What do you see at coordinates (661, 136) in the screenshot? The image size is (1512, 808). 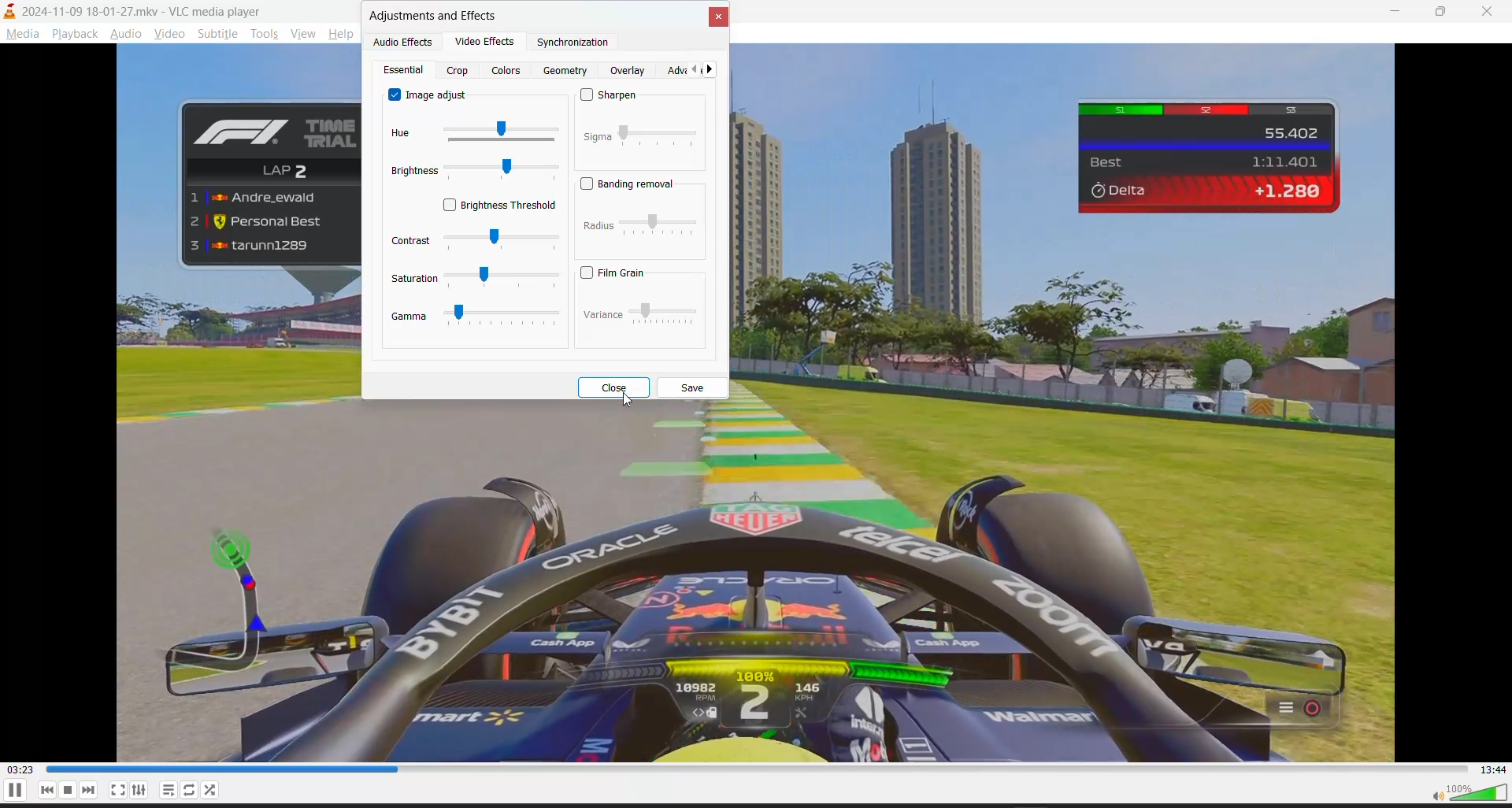 I see `sigma slider` at bounding box center [661, 136].